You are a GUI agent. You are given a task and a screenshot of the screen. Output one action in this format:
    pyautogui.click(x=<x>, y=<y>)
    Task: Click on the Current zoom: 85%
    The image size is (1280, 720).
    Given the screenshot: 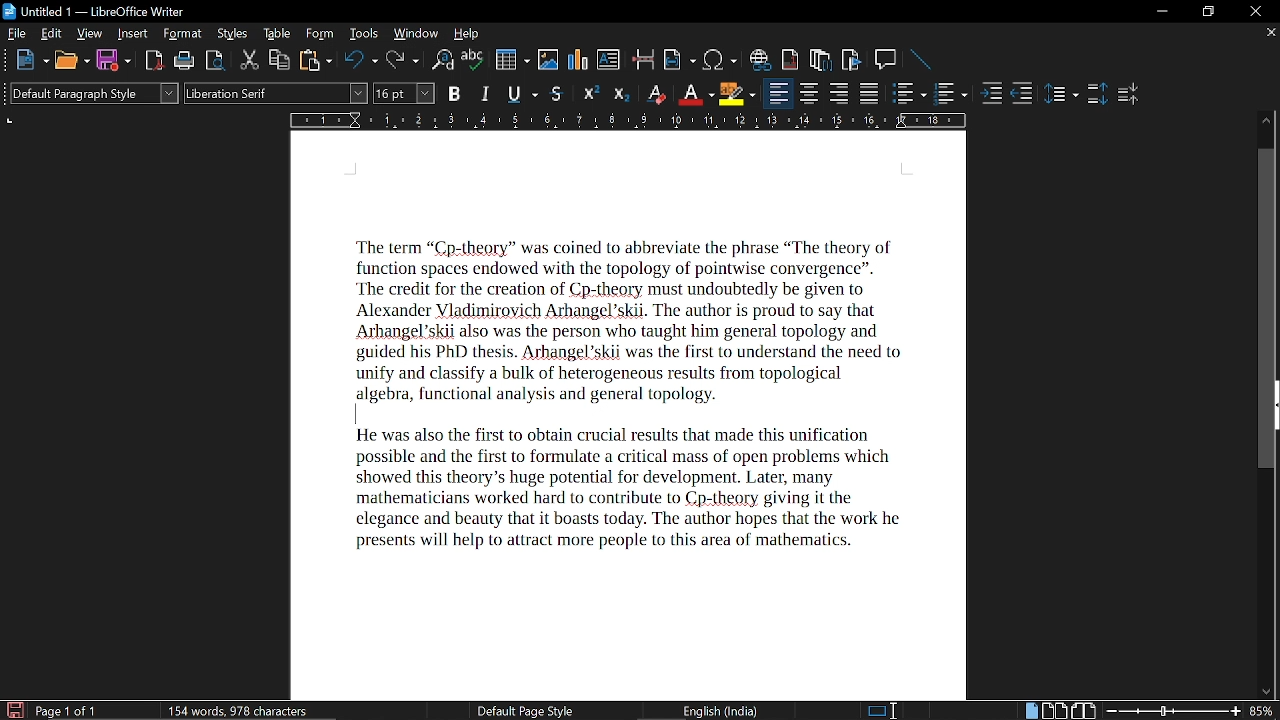 What is the action you would take?
    pyautogui.click(x=1263, y=711)
    